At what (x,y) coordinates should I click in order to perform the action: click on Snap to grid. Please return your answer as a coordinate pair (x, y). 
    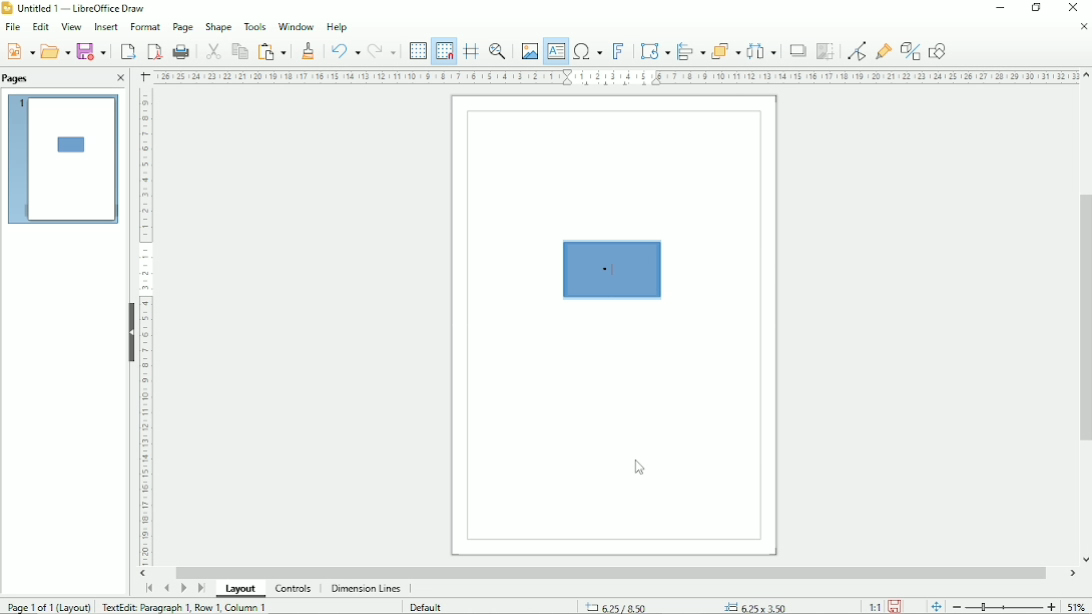
    Looking at the image, I should click on (443, 51).